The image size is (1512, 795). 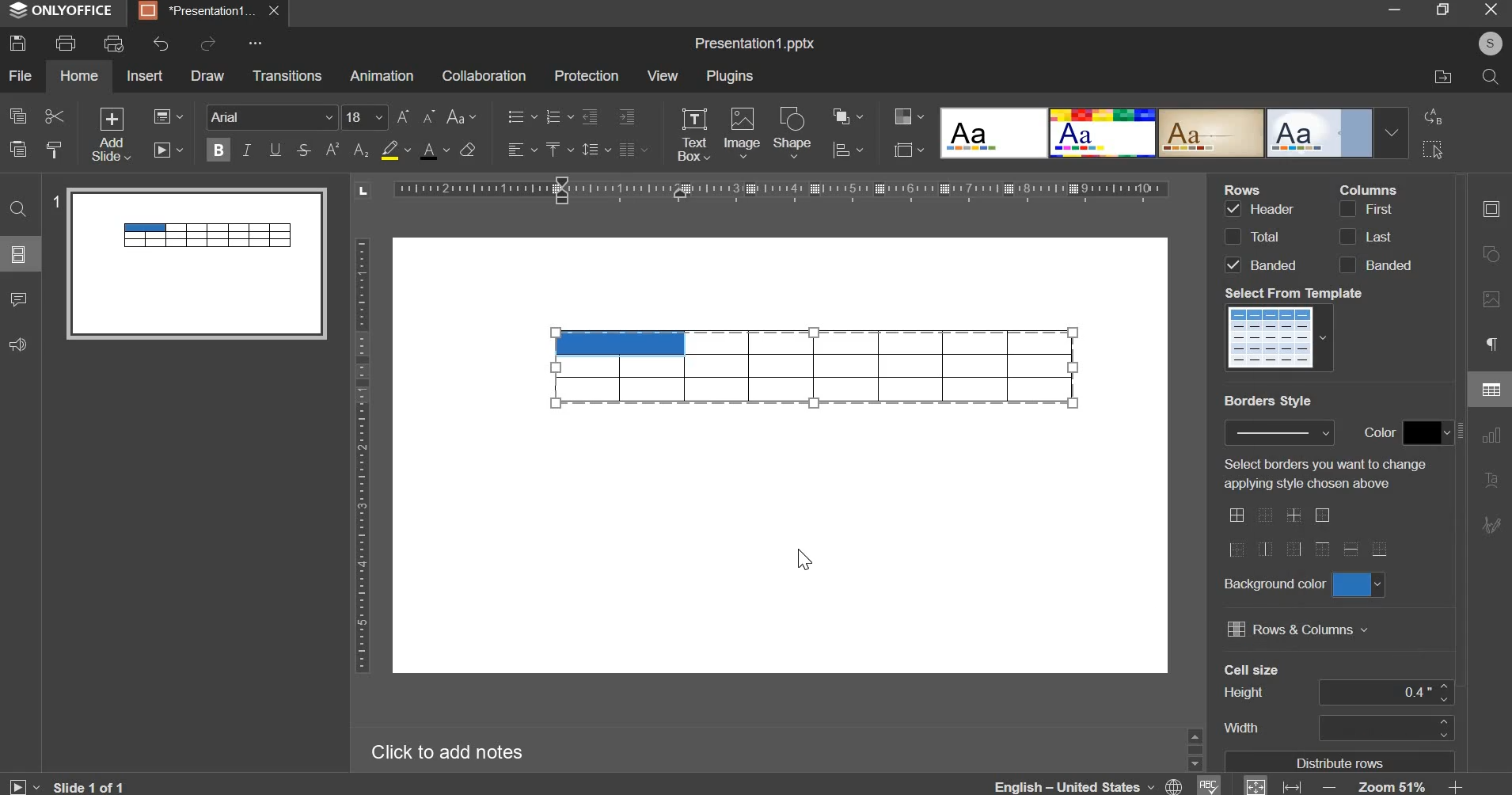 I want to click on transitions, so click(x=287, y=74).